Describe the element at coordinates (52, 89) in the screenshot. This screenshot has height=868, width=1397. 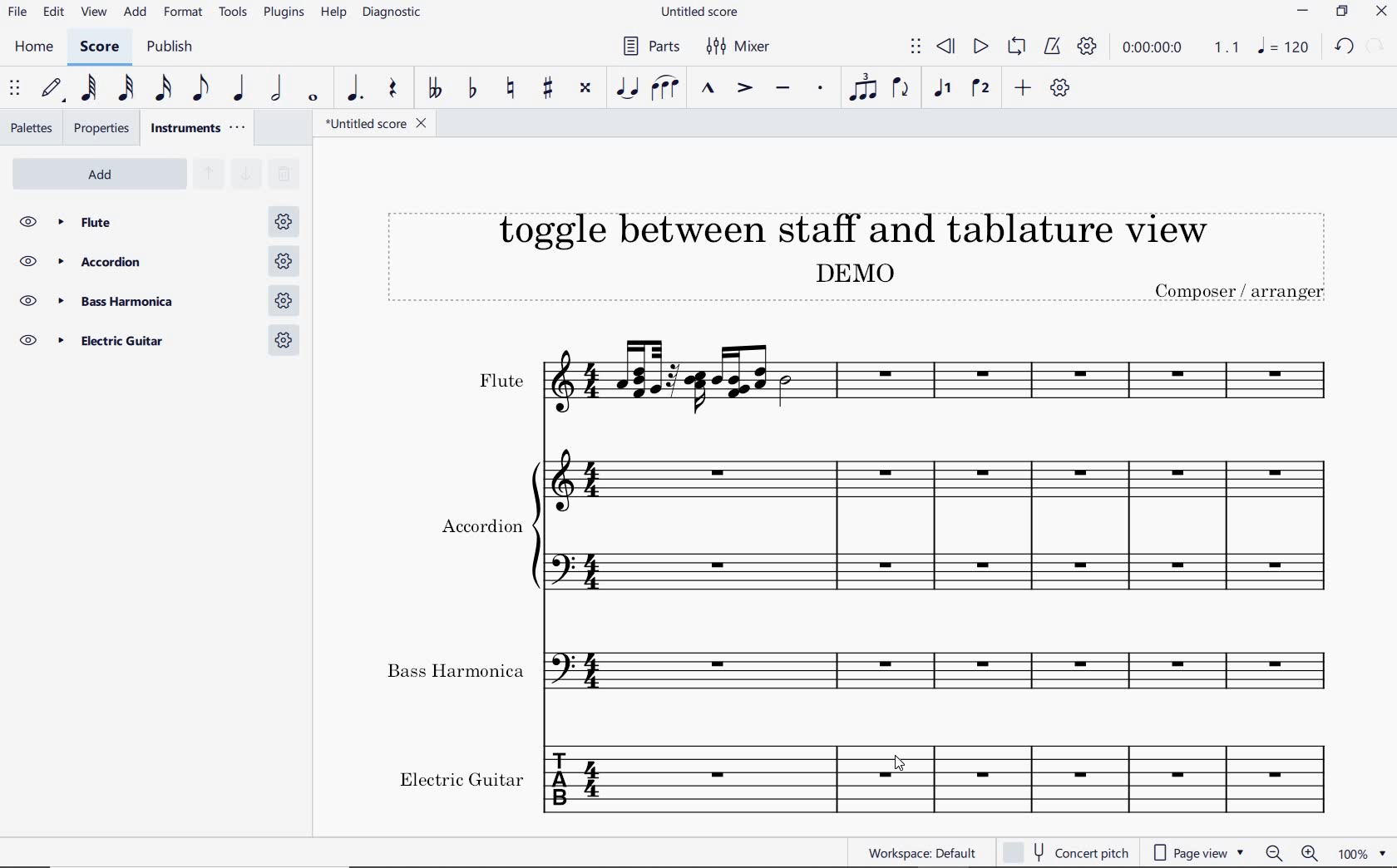
I see `default (step time)` at that location.